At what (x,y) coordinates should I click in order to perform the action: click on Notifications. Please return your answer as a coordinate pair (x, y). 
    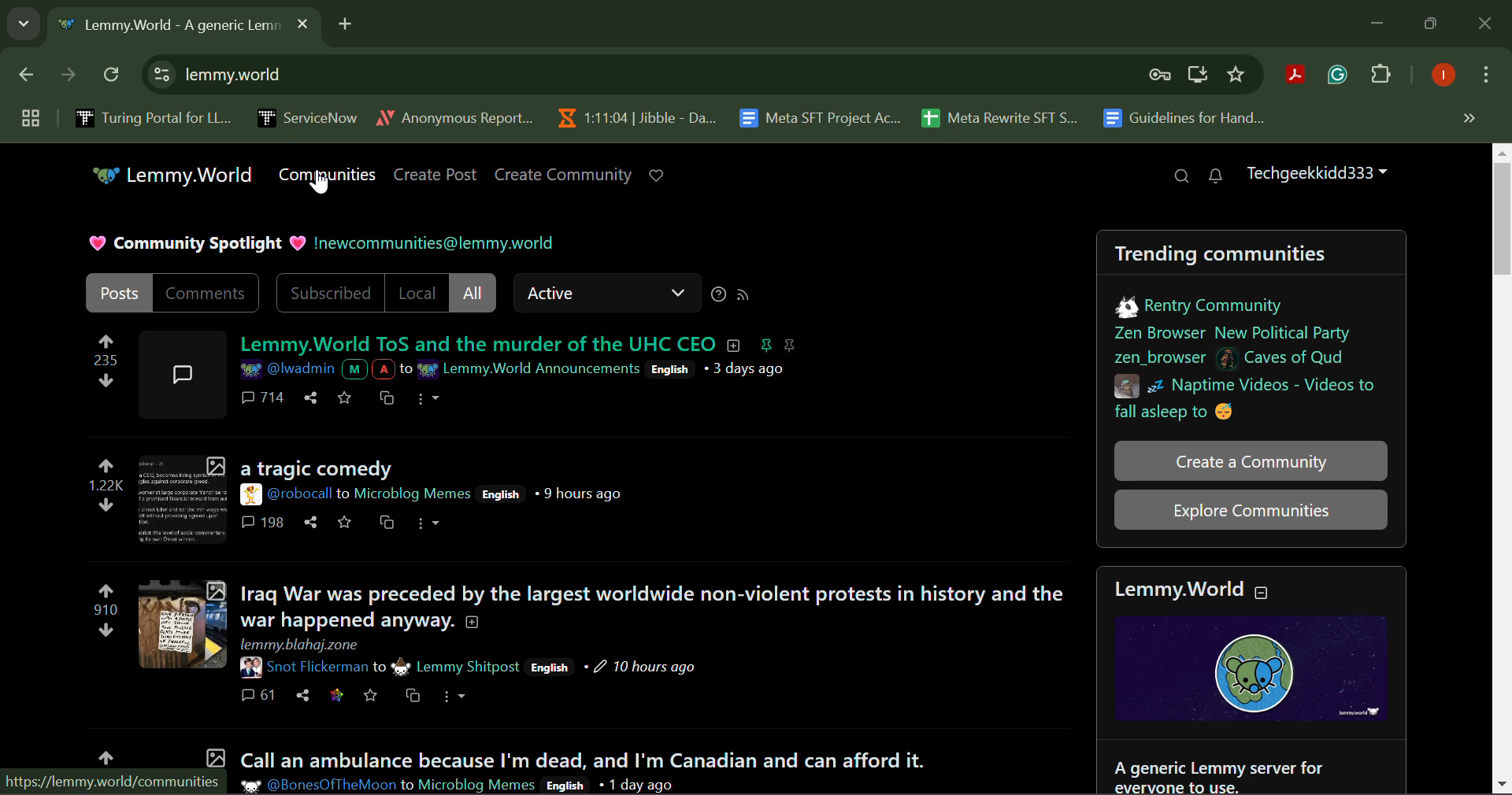
    Looking at the image, I should click on (1214, 176).